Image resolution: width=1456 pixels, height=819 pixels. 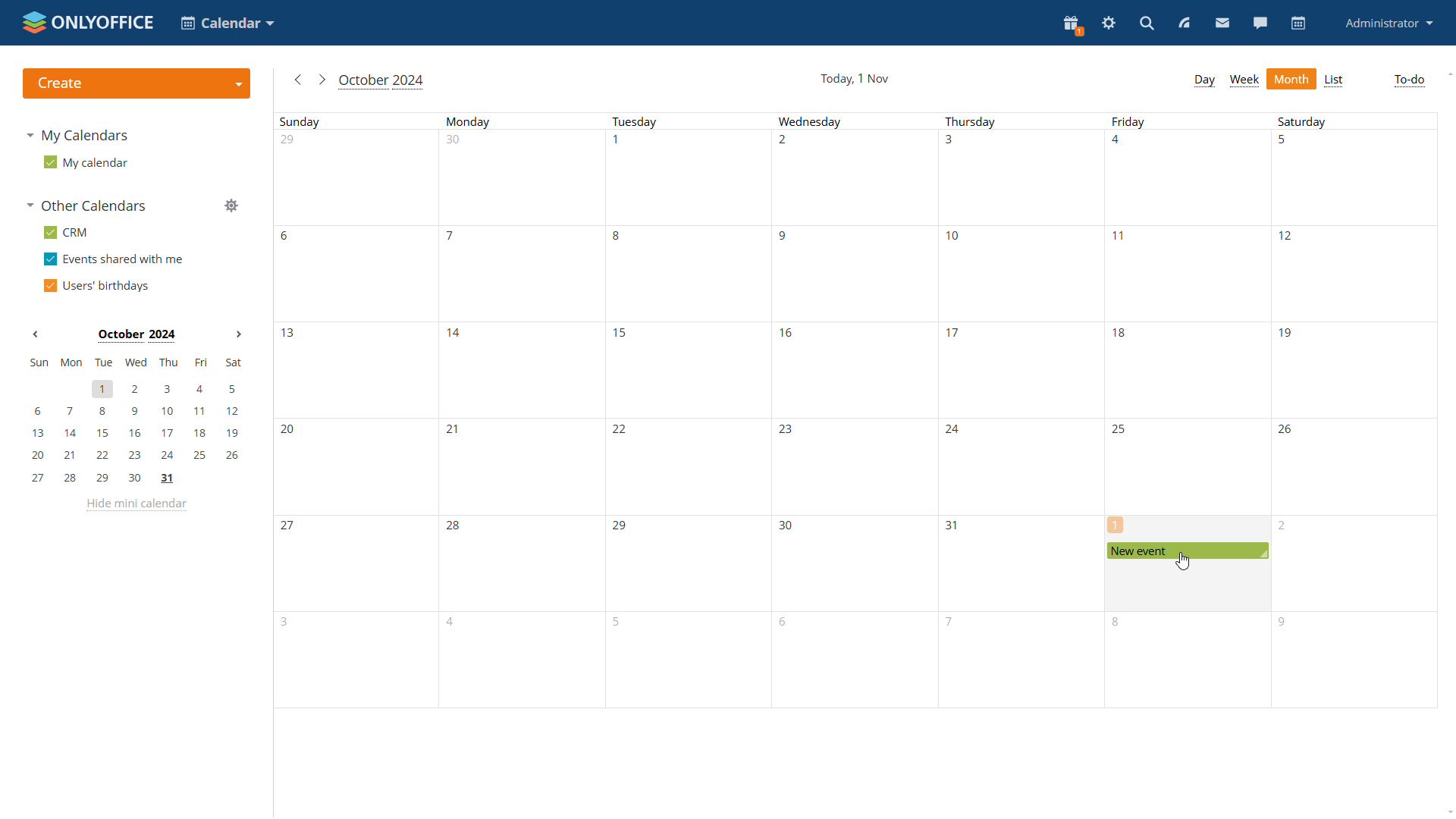 I want to click on serringas, so click(x=1109, y=24).